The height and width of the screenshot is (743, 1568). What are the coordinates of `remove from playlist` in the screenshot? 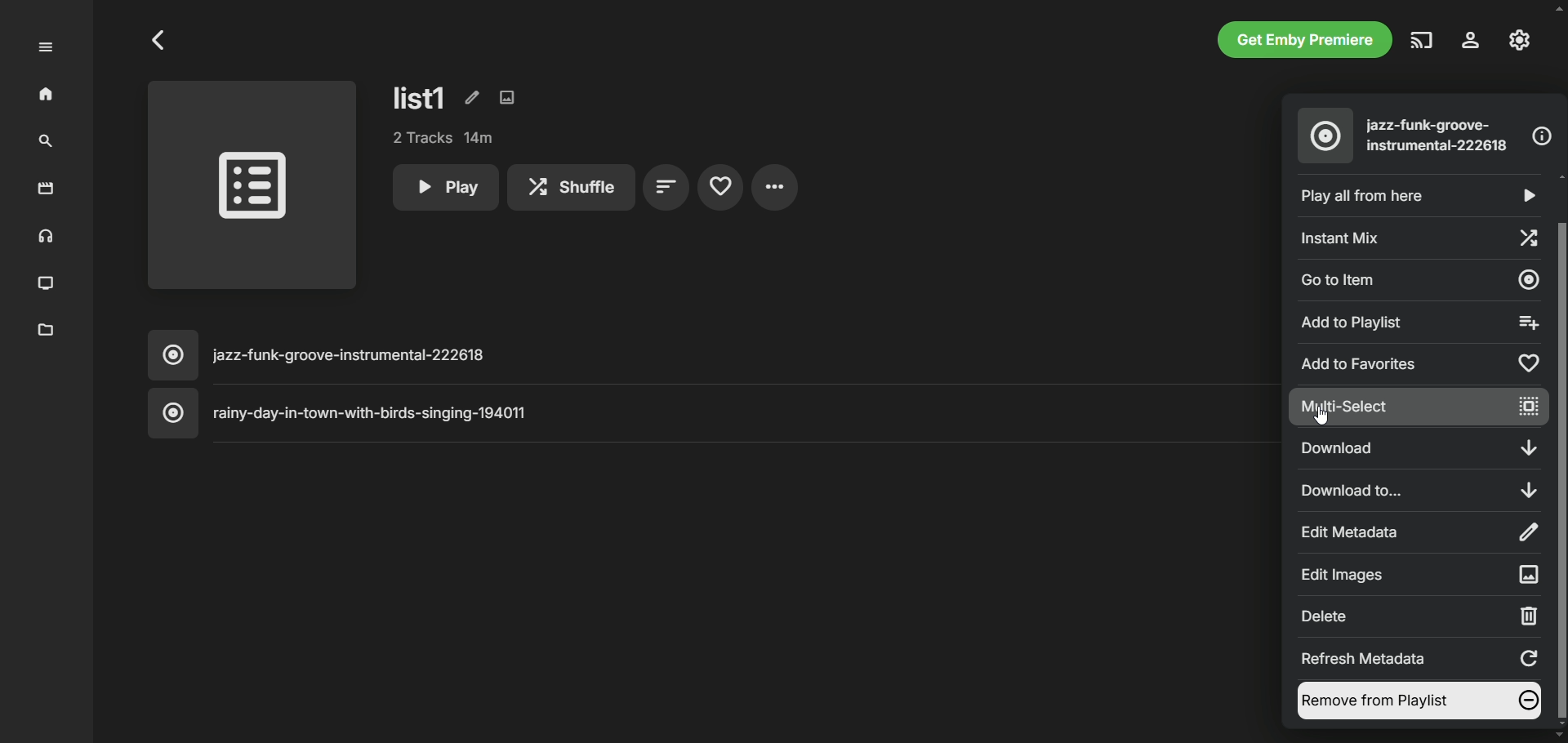 It's located at (1419, 701).